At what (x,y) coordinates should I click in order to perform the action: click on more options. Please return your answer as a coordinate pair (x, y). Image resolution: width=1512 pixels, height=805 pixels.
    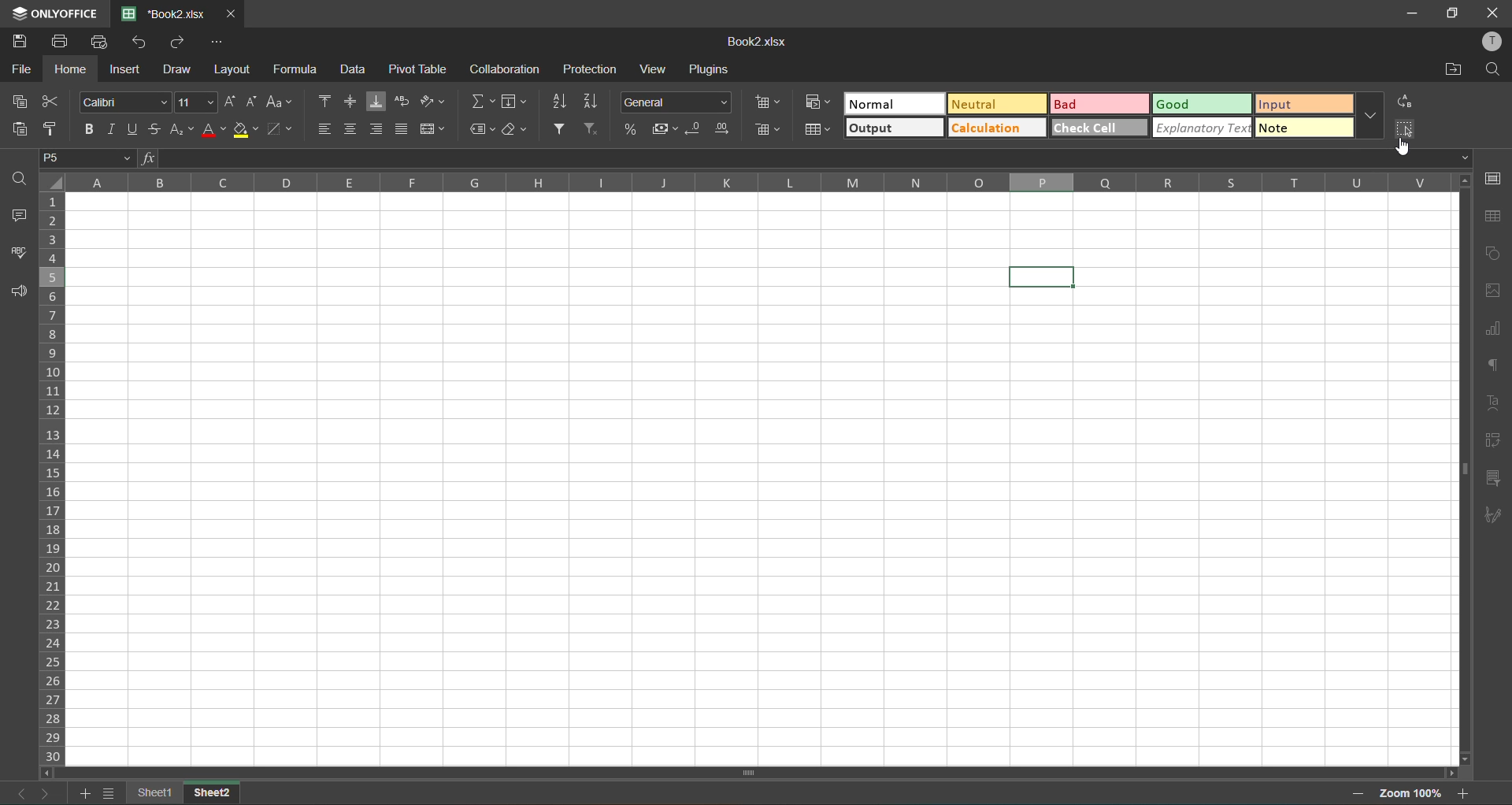
    Looking at the image, I should click on (1366, 117).